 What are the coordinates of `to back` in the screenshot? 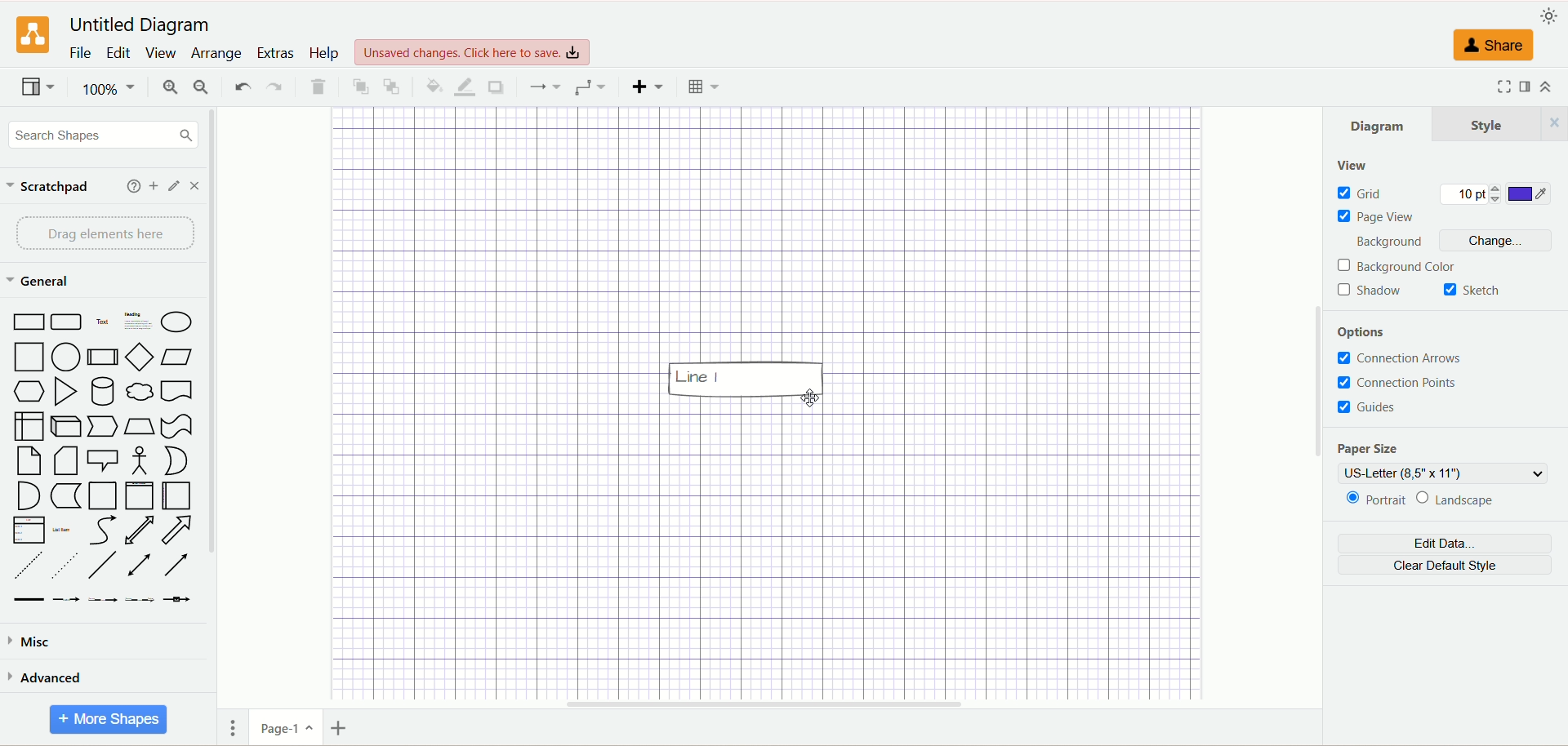 It's located at (393, 87).